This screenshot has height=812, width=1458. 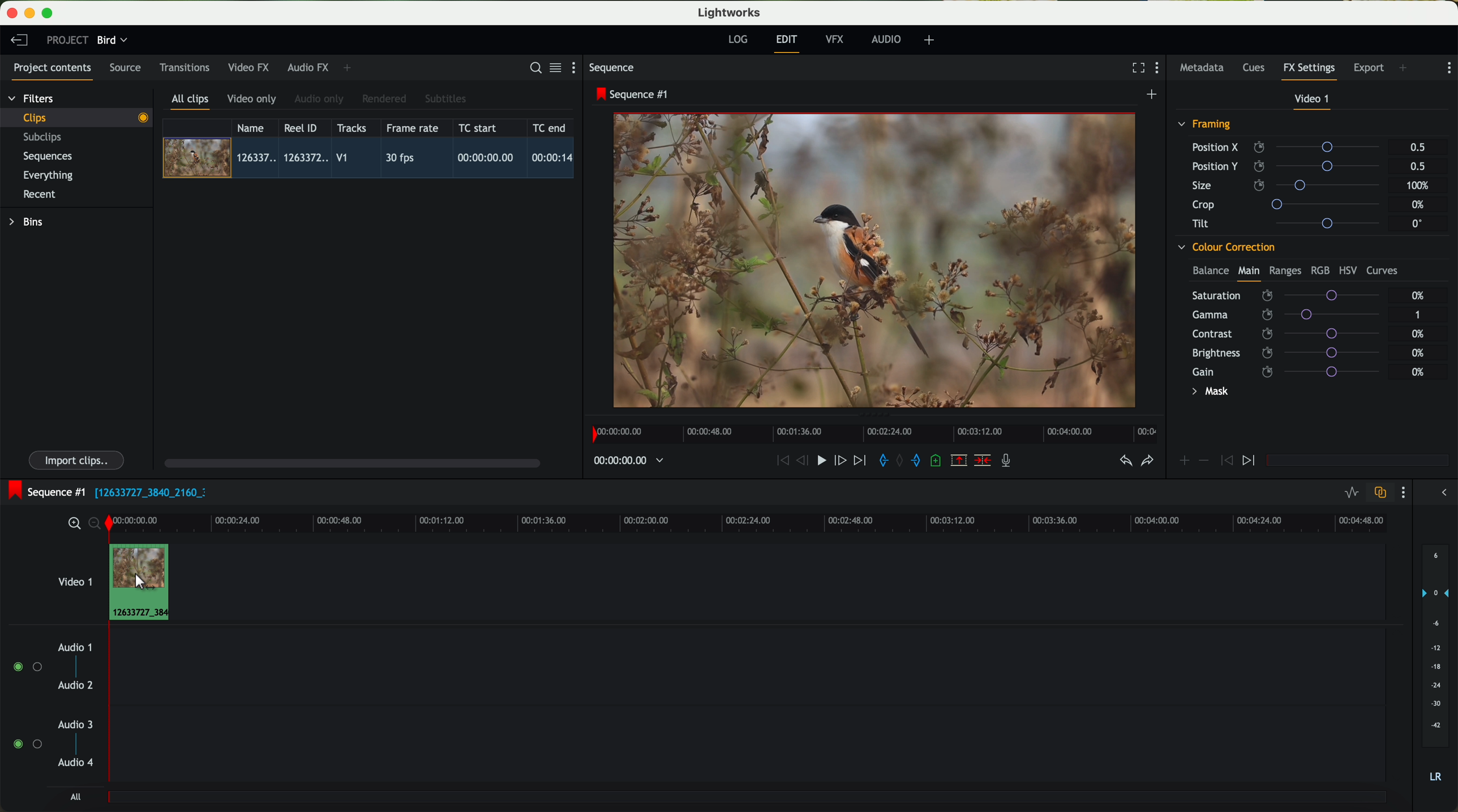 What do you see at coordinates (251, 100) in the screenshot?
I see `video only` at bounding box center [251, 100].